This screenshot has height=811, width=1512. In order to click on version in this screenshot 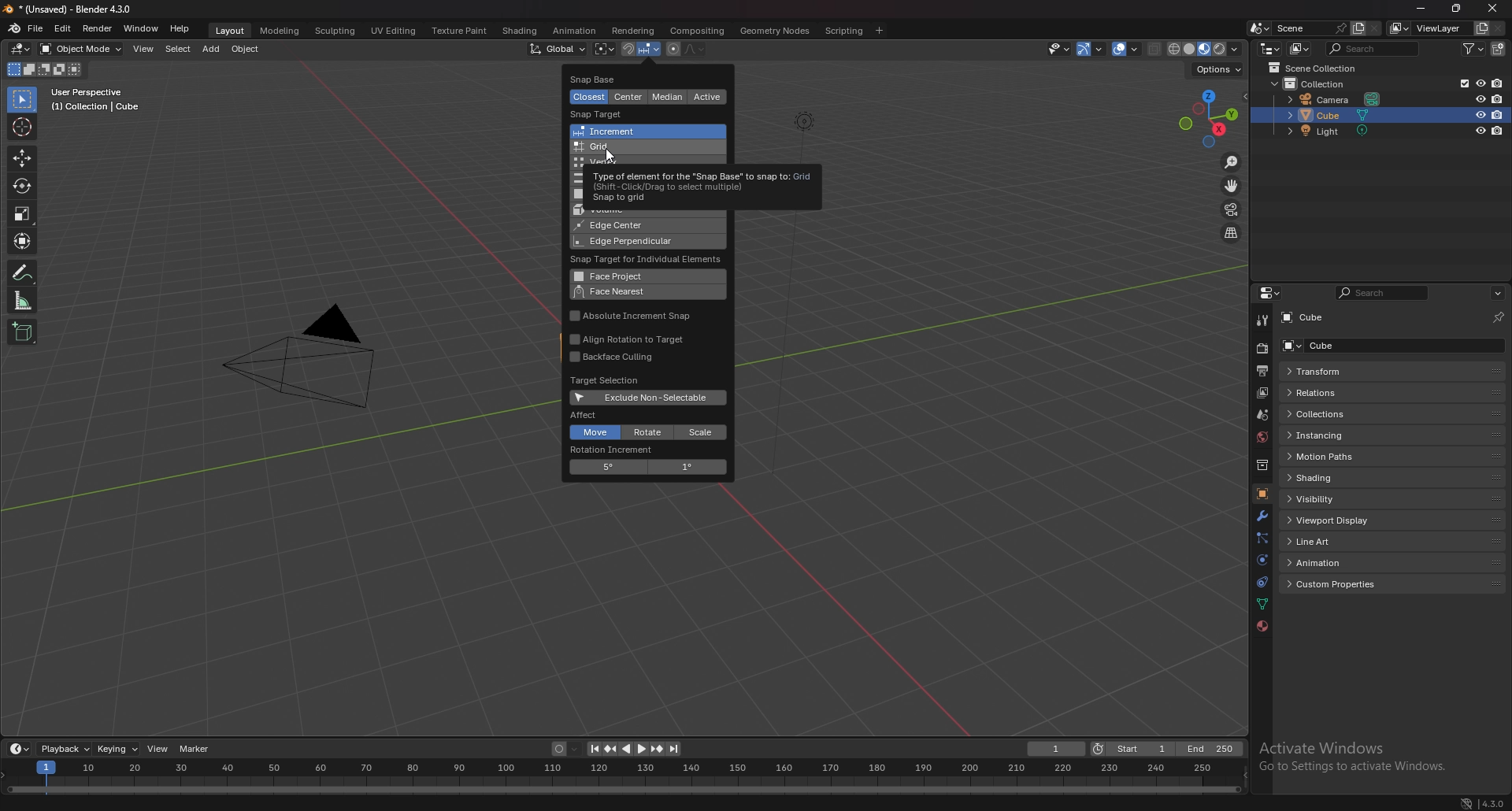, I will do `click(1491, 803)`.